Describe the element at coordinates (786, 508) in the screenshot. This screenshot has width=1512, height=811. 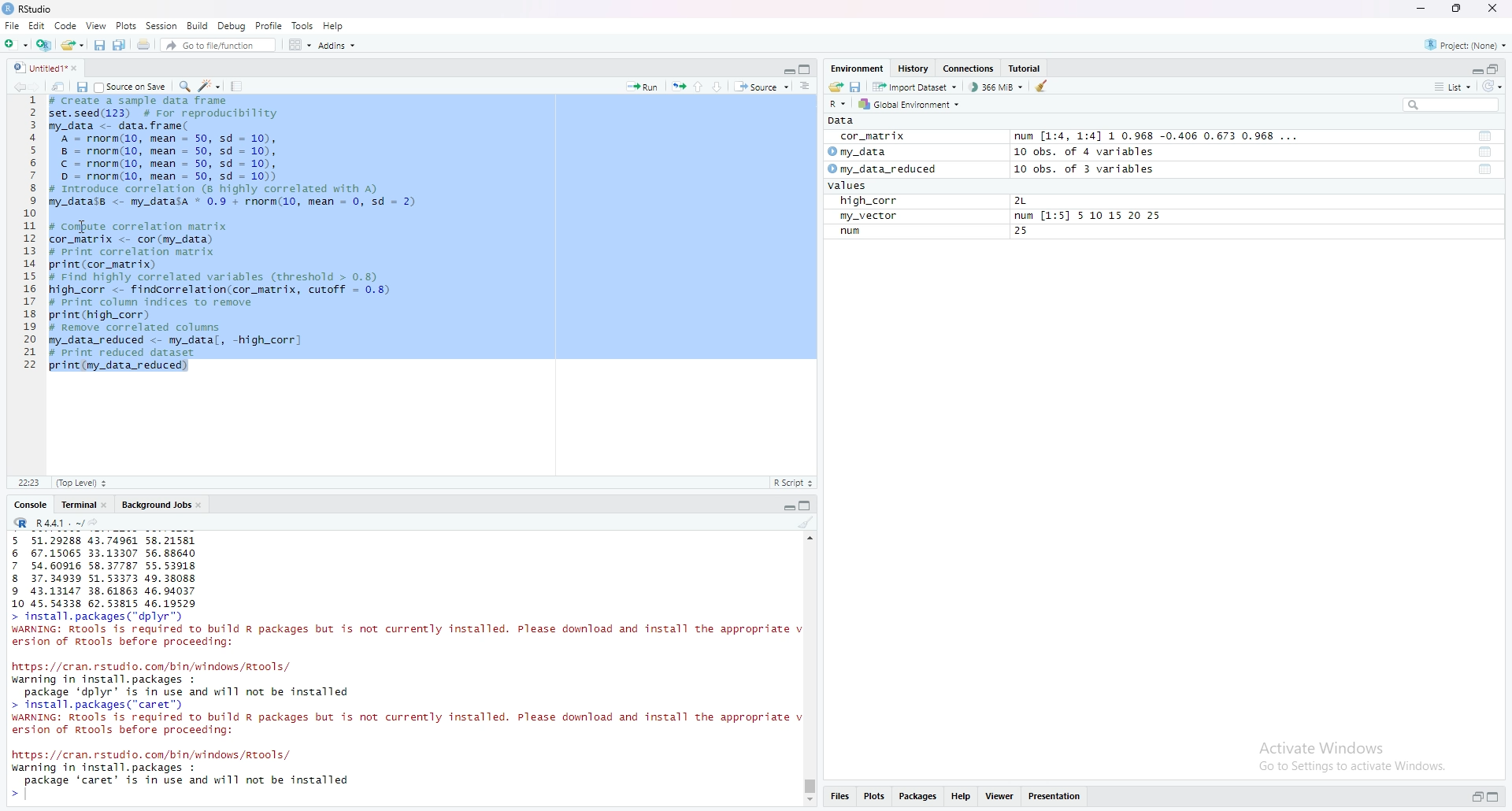
I see `Collapse` at that location.